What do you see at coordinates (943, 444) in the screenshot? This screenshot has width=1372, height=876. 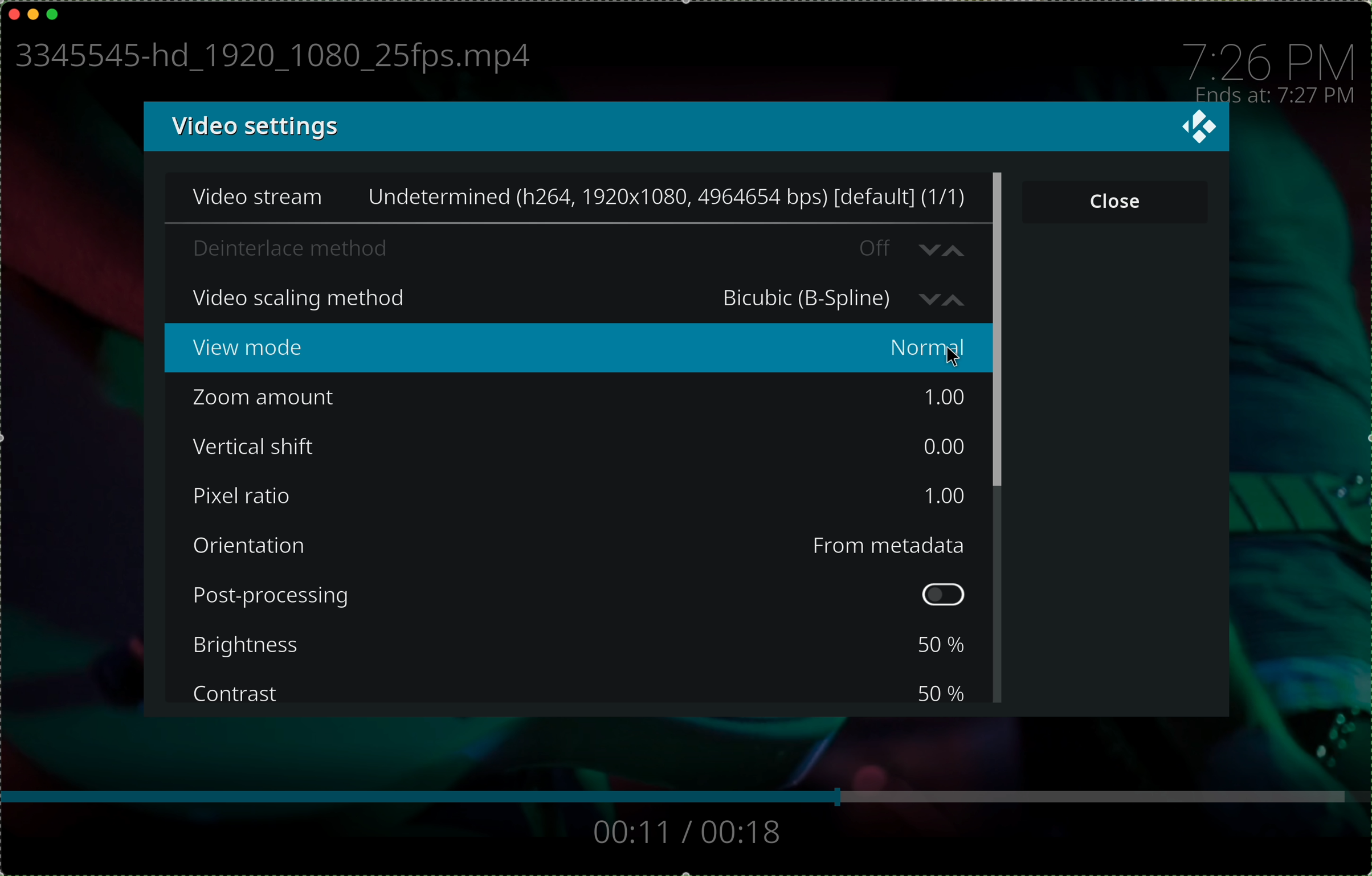 I see `0.00` at bounding box center [943, 444].